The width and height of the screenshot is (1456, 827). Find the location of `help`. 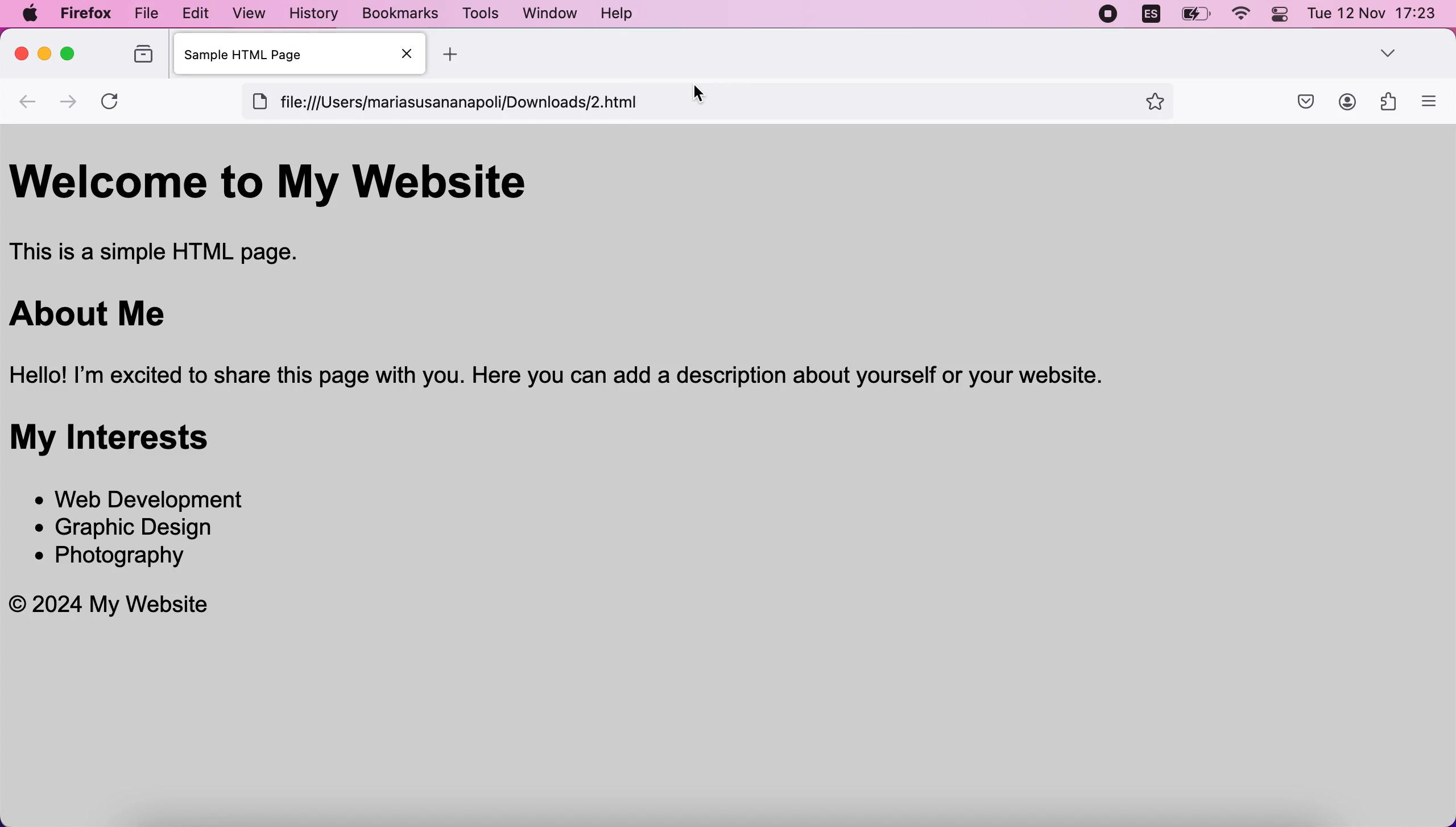

help is located at coordinates (626, 13).